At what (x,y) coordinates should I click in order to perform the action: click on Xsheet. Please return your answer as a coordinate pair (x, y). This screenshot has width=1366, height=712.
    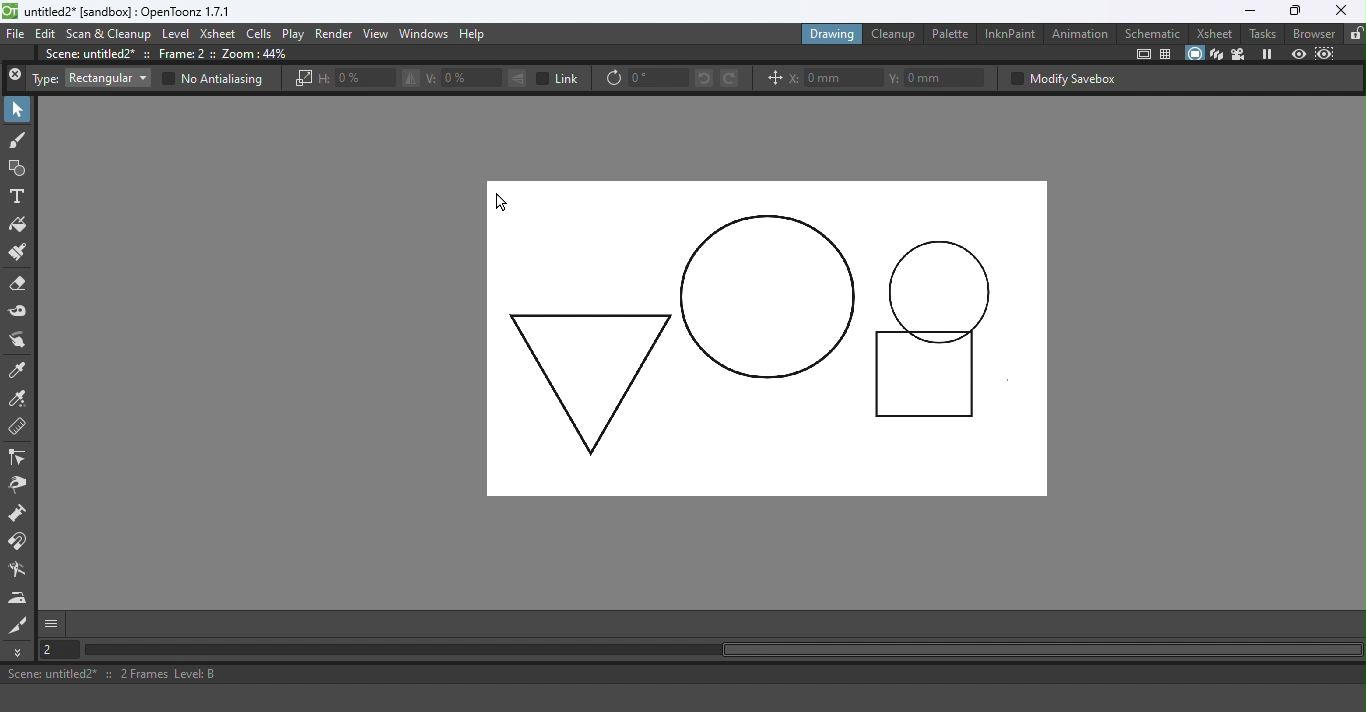
    Looking at the image, I should click on (218, 34).